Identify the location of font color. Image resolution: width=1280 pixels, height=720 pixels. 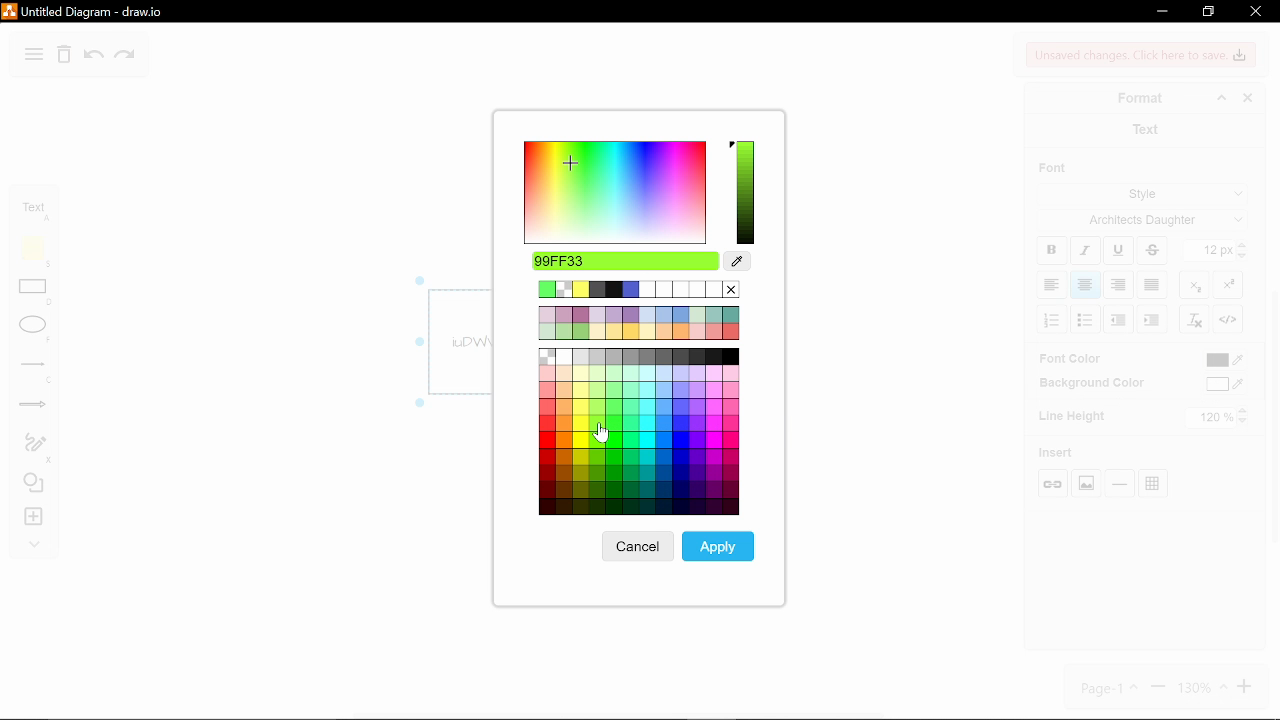
(1073, 358).